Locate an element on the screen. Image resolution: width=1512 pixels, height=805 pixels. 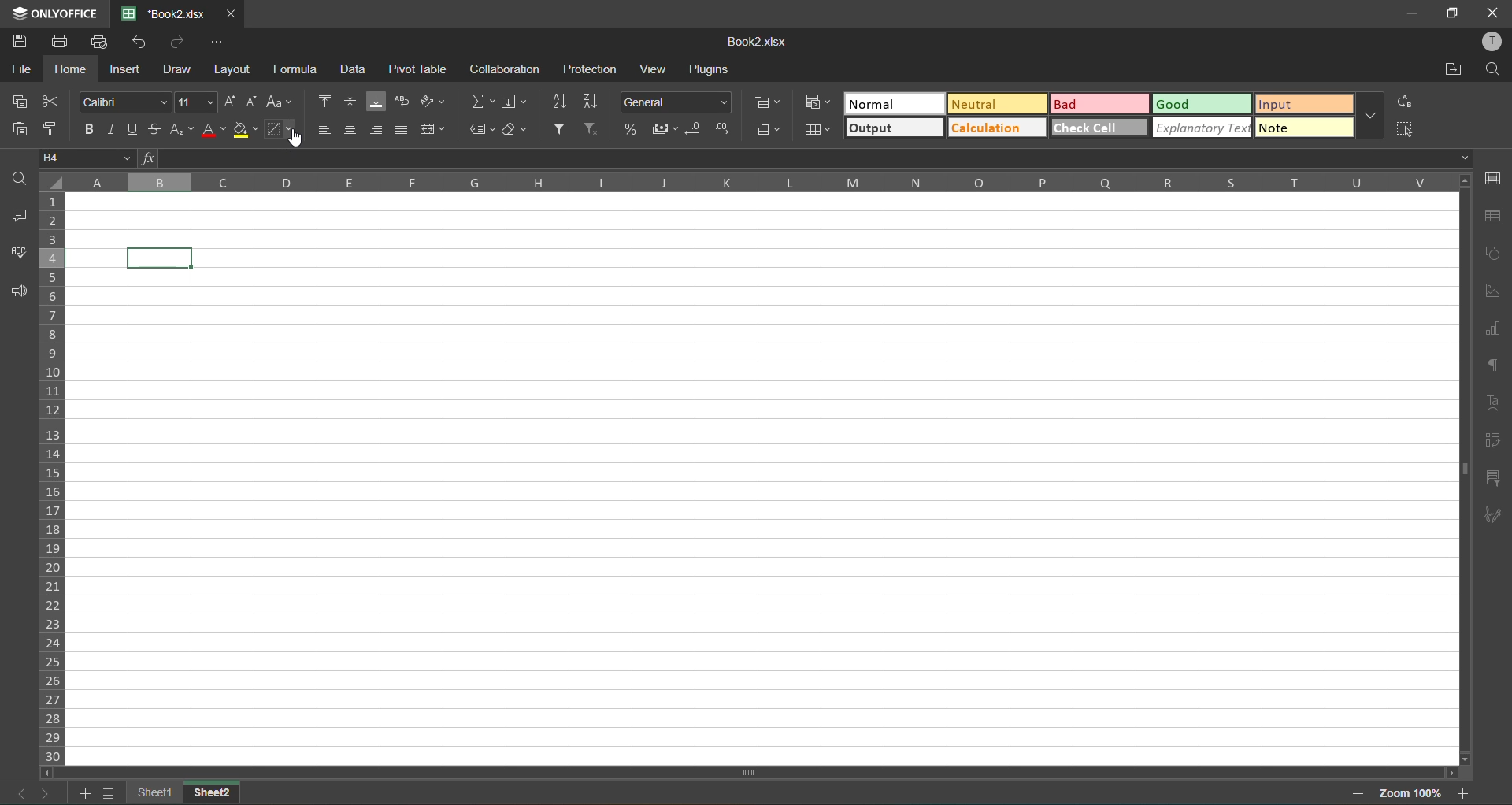
formula bar is located at coordinates (803, 158).